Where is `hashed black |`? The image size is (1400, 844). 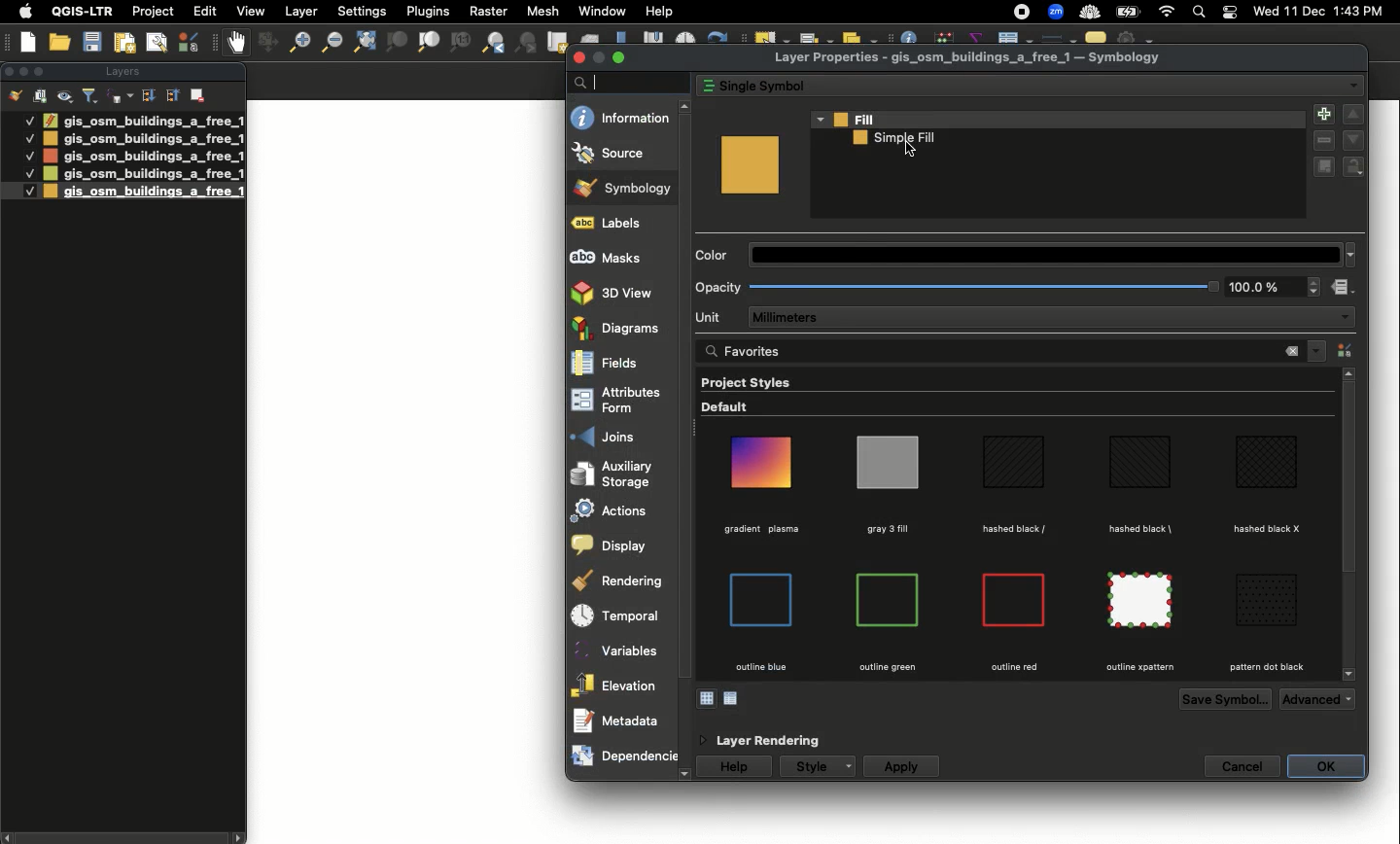
hashed black | is located at coordinates (1015, 529).